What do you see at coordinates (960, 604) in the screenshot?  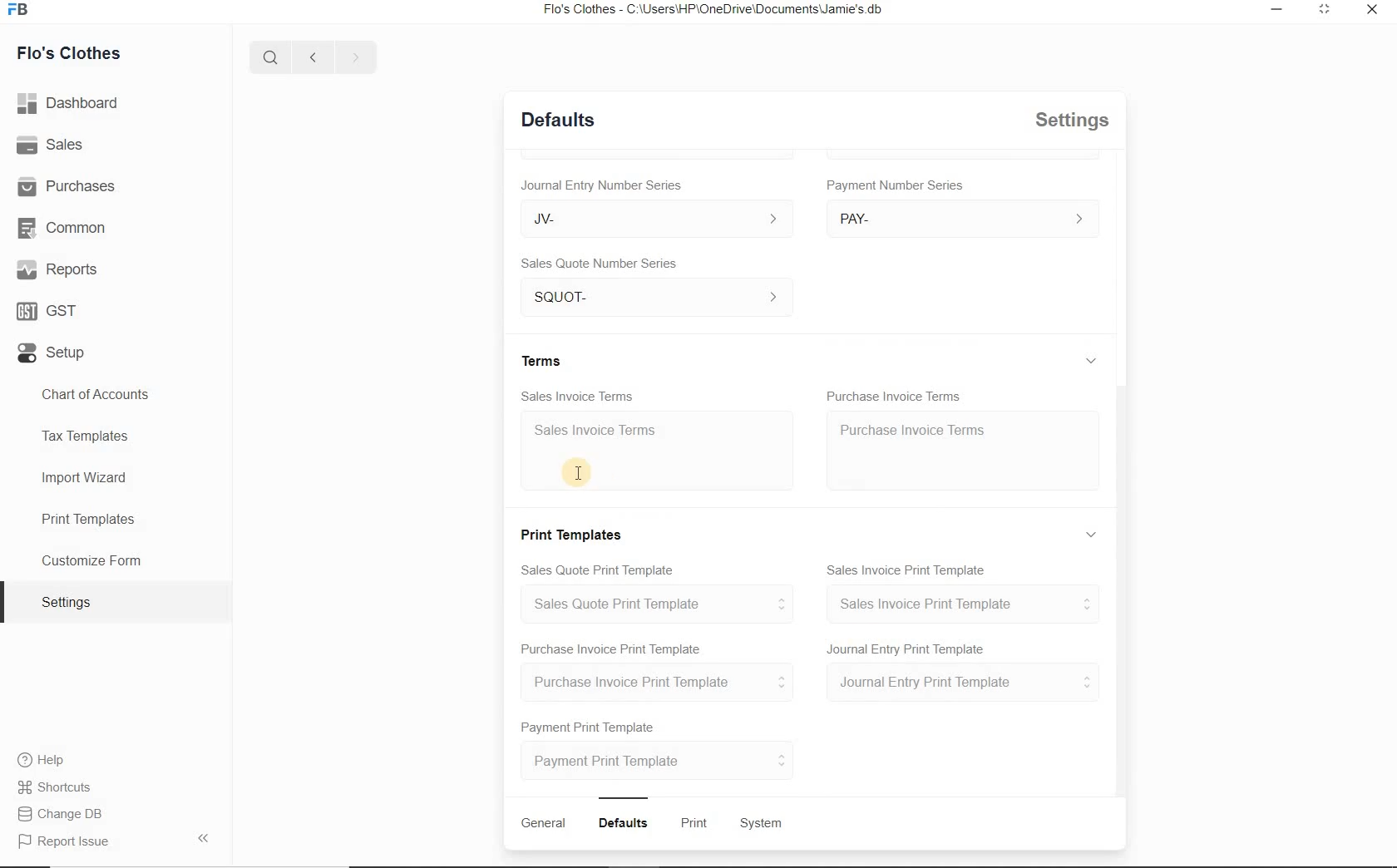 I see `Sales Invoice Print Template` at bounding box center [960, 604].